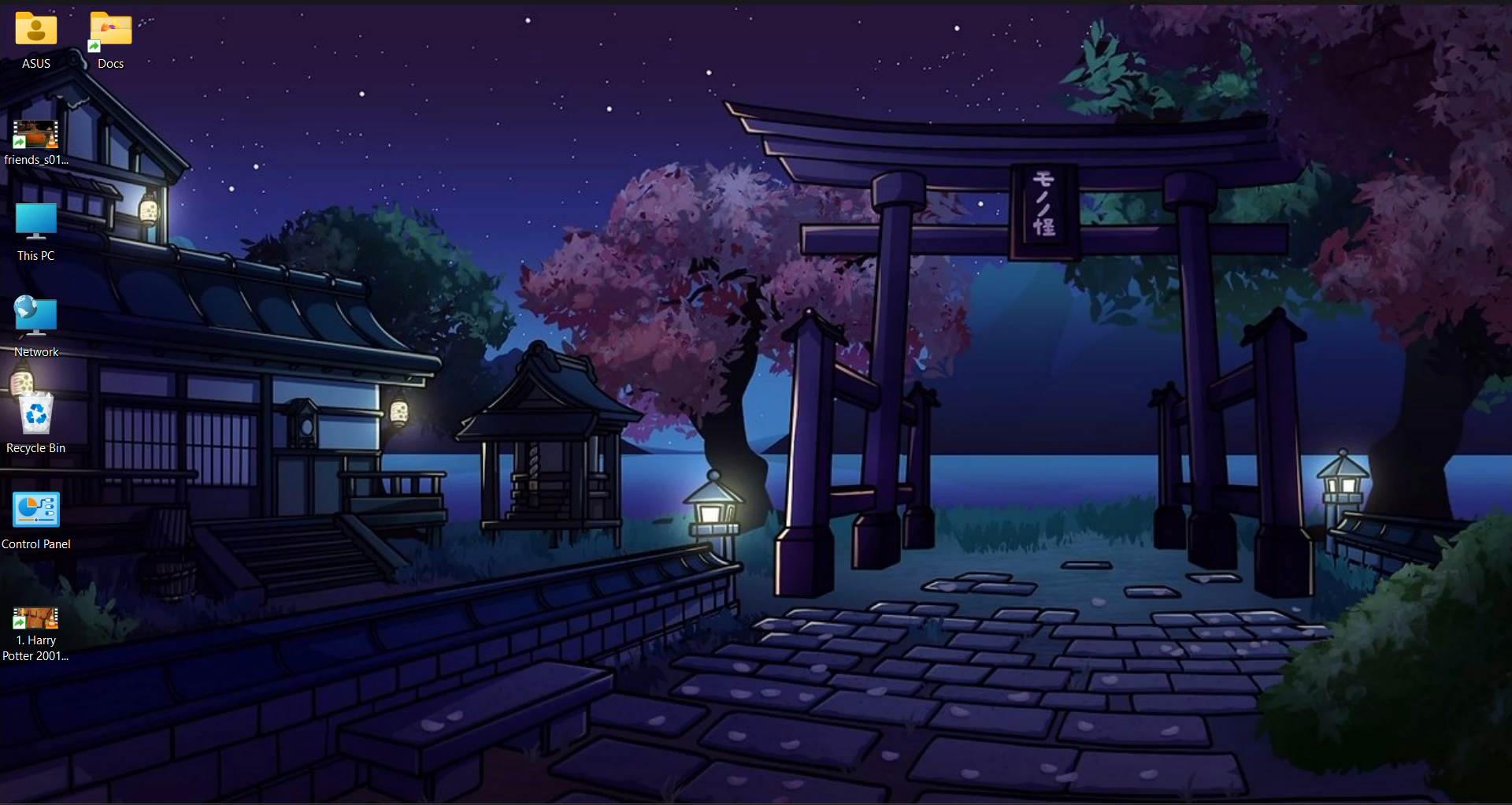 The image size is (1512, 805). Describe the element at coordinates (44, 235) in the screenshot. I see `=
This PC` at that location.